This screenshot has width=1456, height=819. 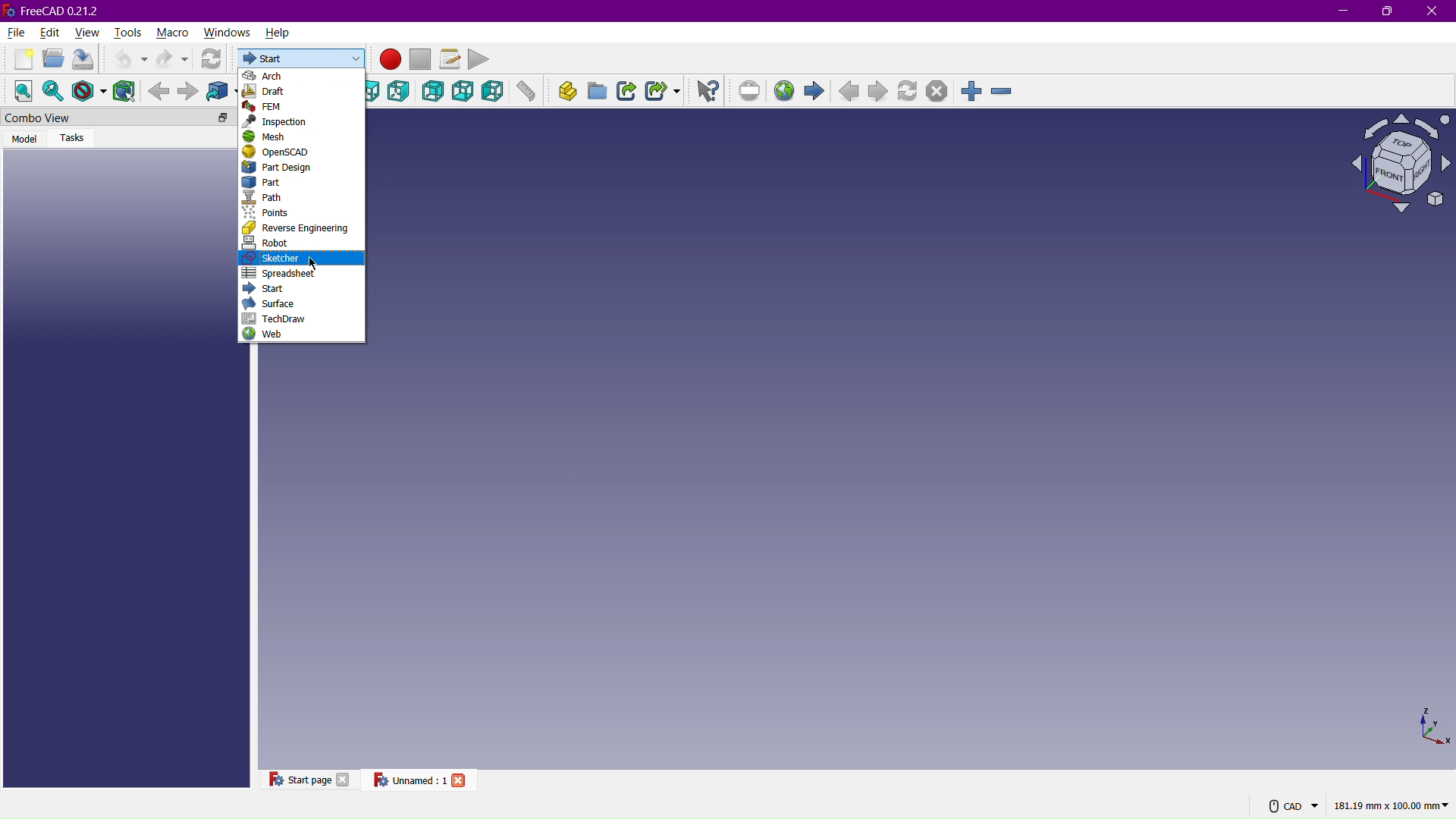 What do you see at coordinates (1403, 162) in the screenshot?
I see `Isometric View` at bounding box center [1403, 162].